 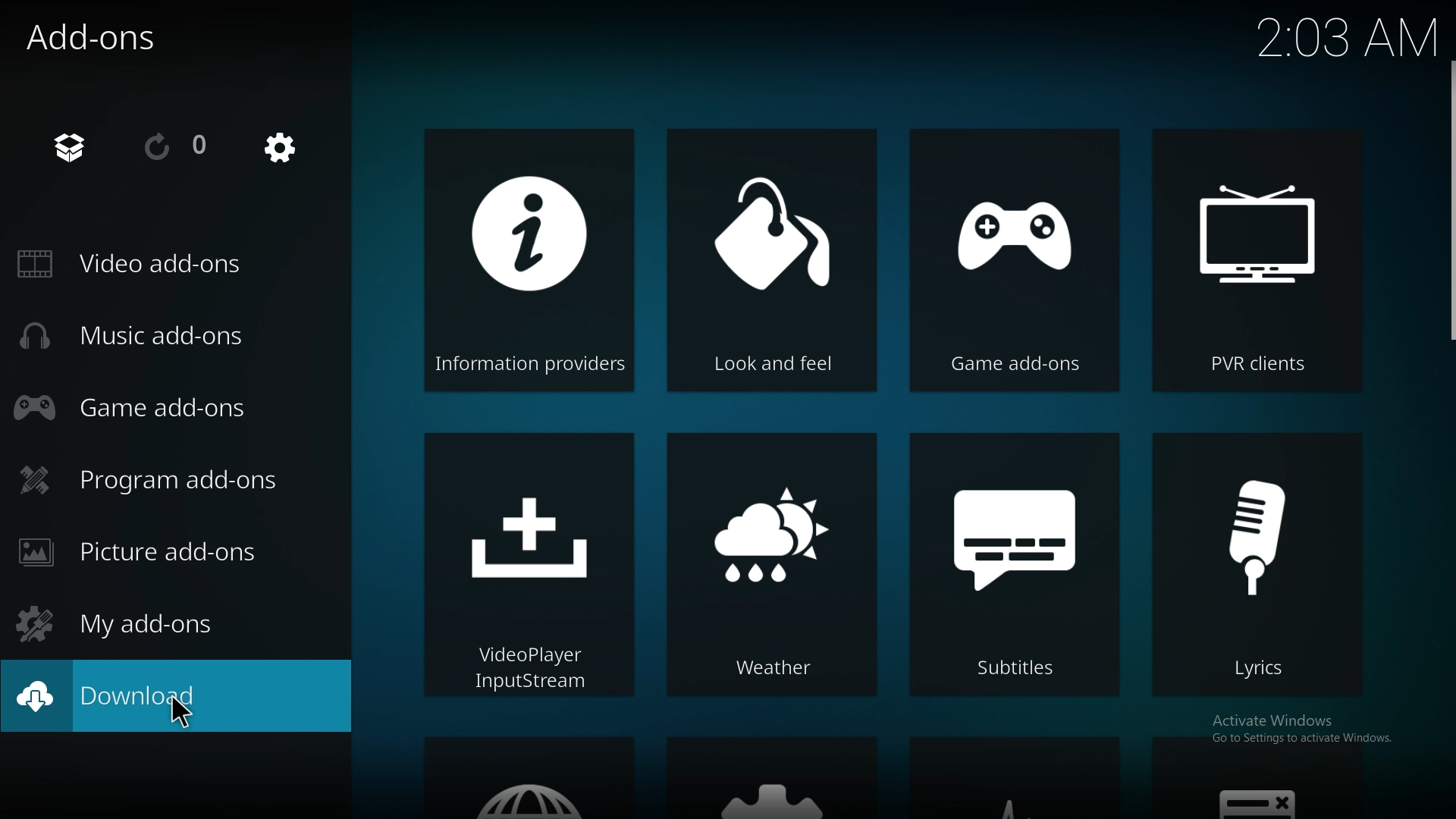 What do you see at coordinates (1347, 37) in the screenshot?
I see `time` at bounding box center [1347, 37].